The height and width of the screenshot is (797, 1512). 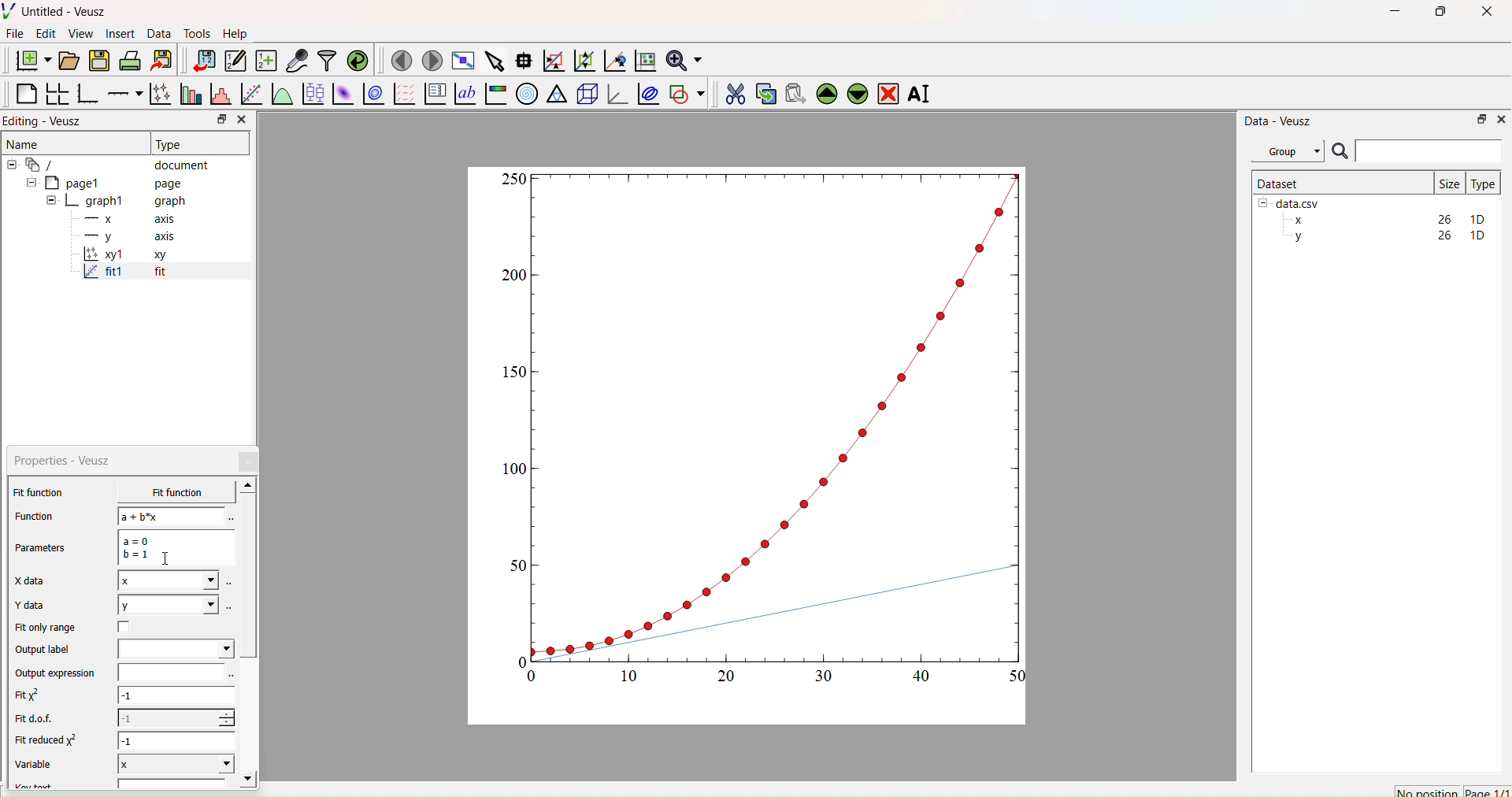 I want to click on 3d Graph, so click(x=614, y=93).